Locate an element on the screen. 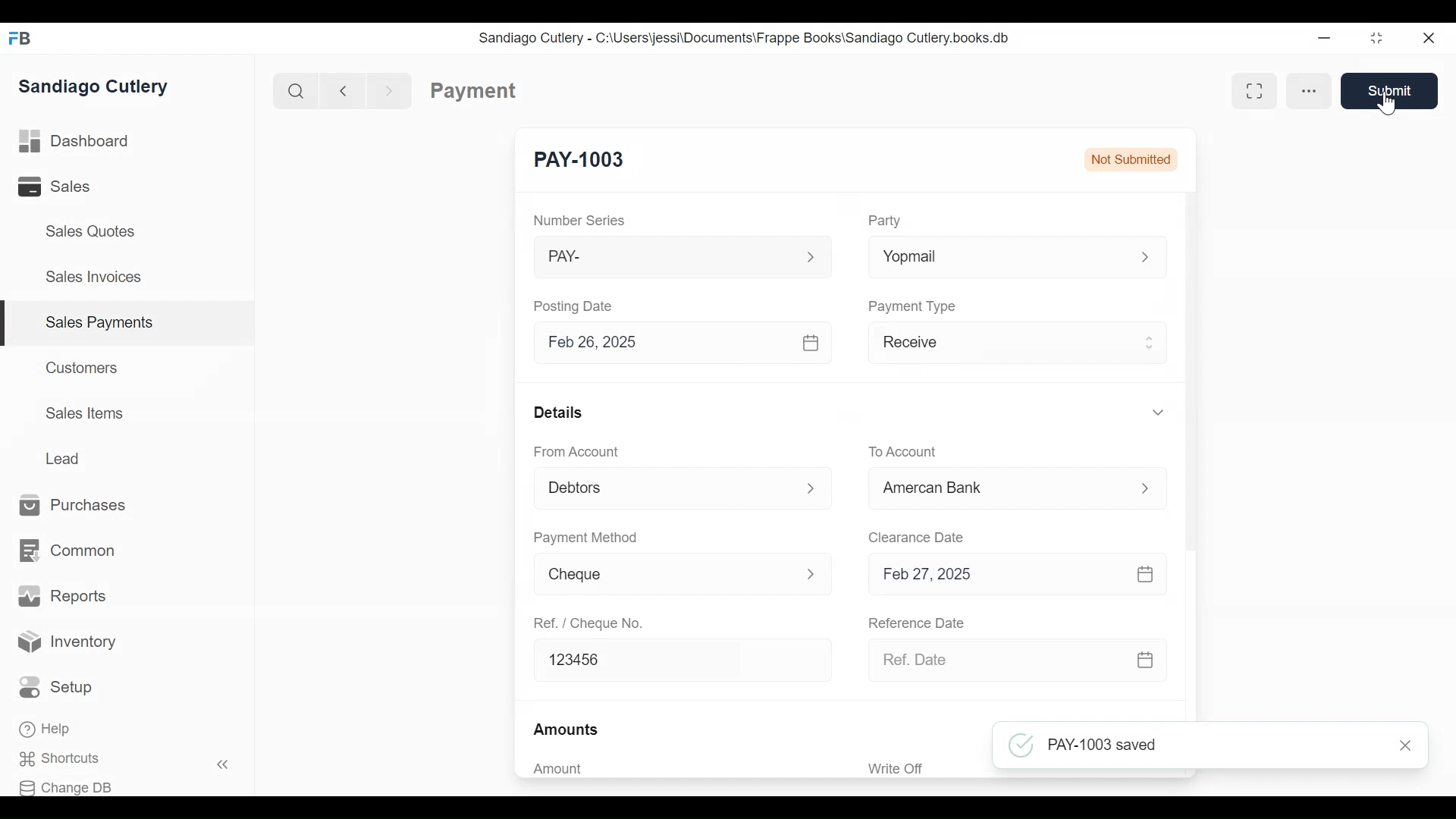  Expand is located at coordinates (1151, 344).